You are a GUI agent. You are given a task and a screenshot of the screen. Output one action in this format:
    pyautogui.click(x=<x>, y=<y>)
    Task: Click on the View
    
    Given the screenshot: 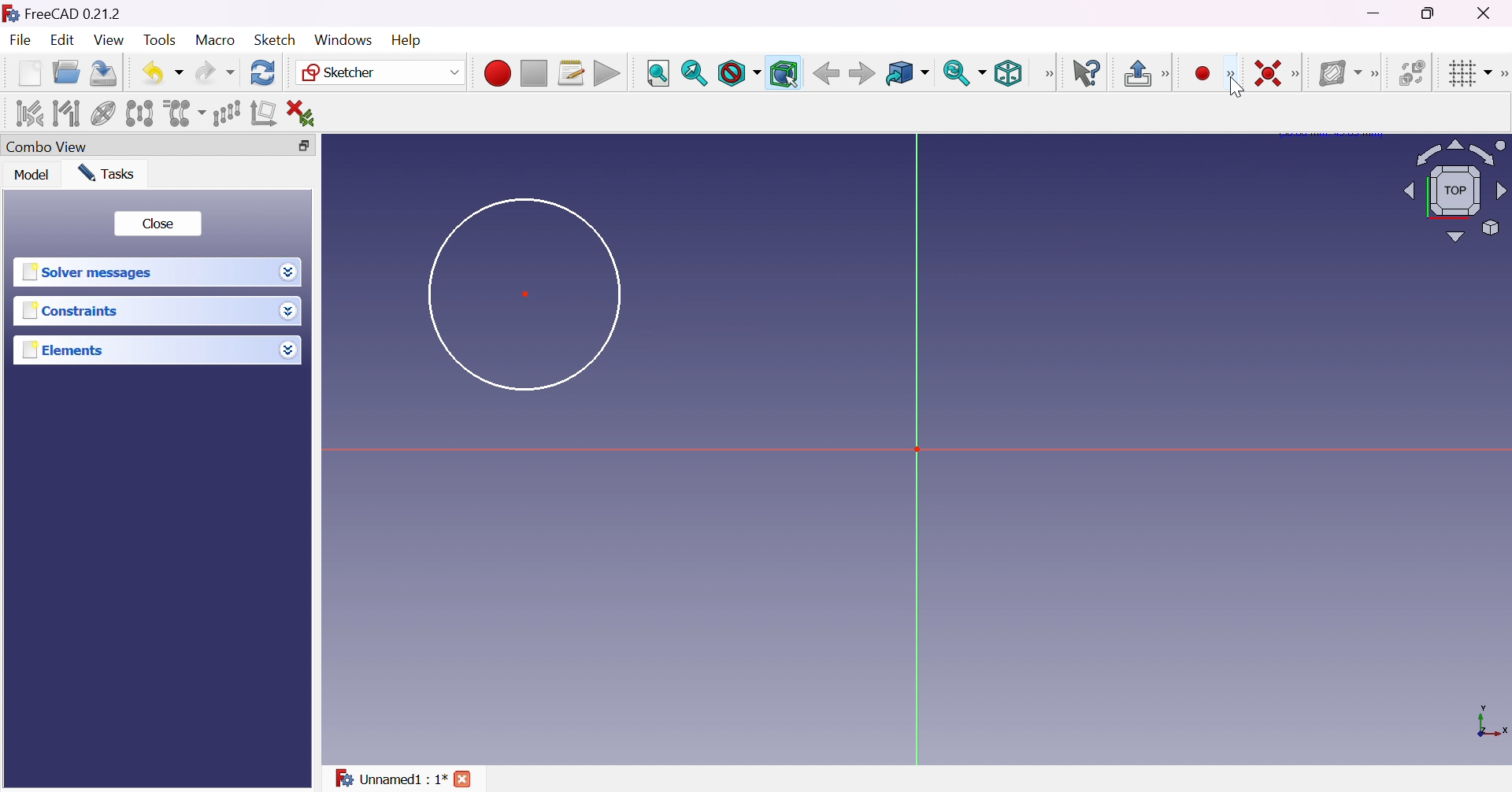 What is the action you would take?
    pyautogui.click(x=1050, y=73)
    